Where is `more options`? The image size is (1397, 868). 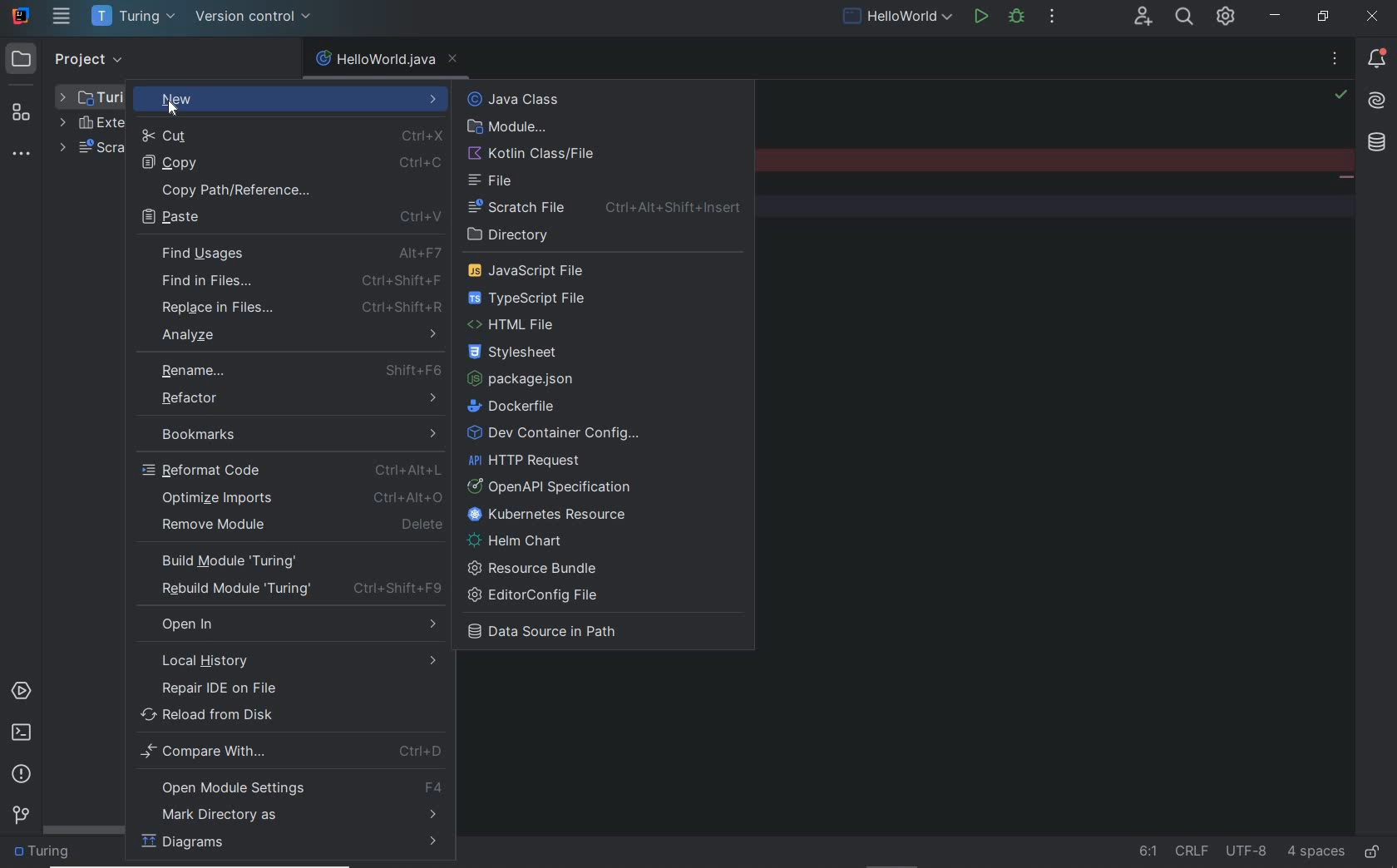
more options is located at coordinates (1335, 62).